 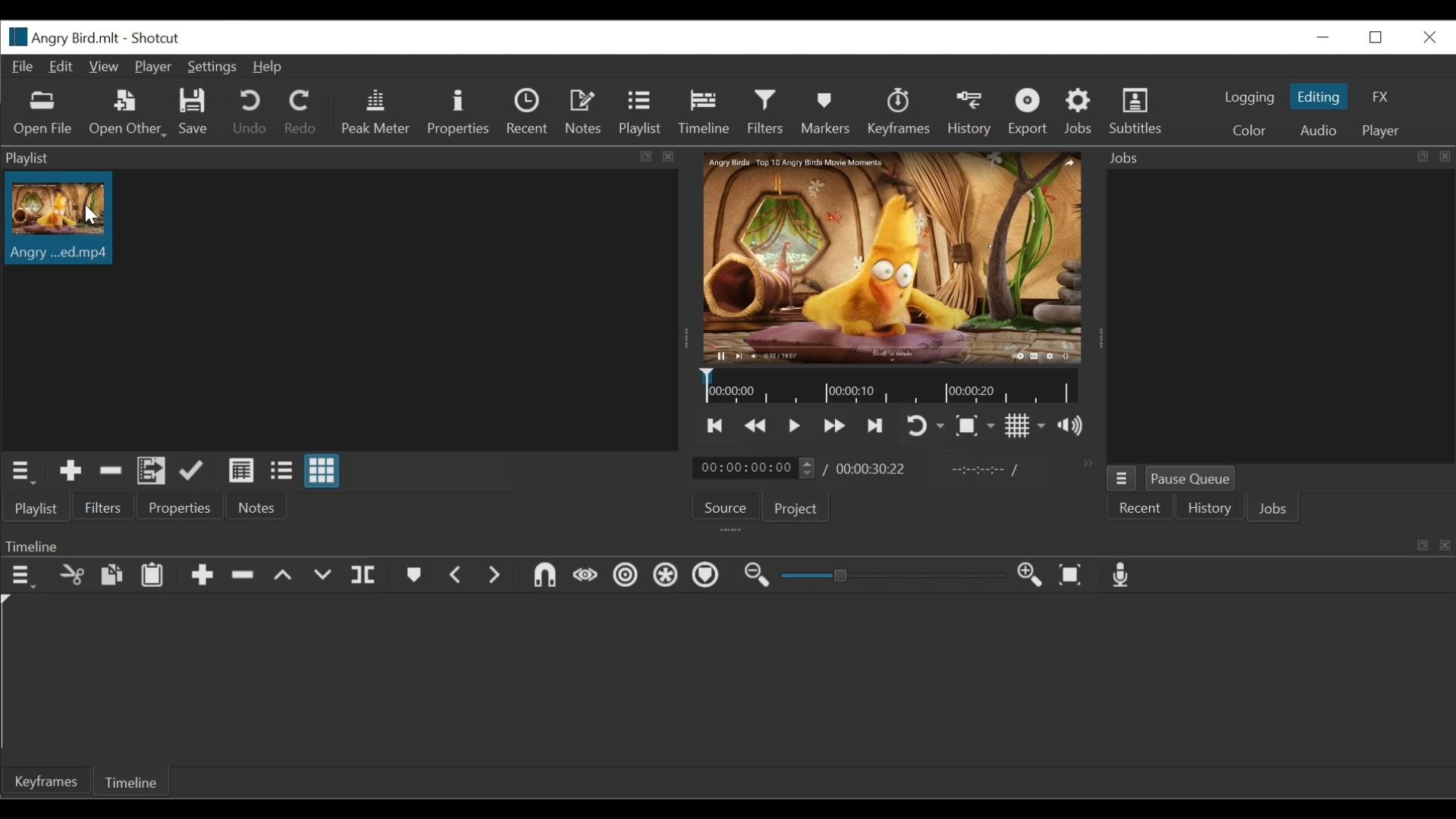 I want to click on View as icons, so click(x=322, y=469).